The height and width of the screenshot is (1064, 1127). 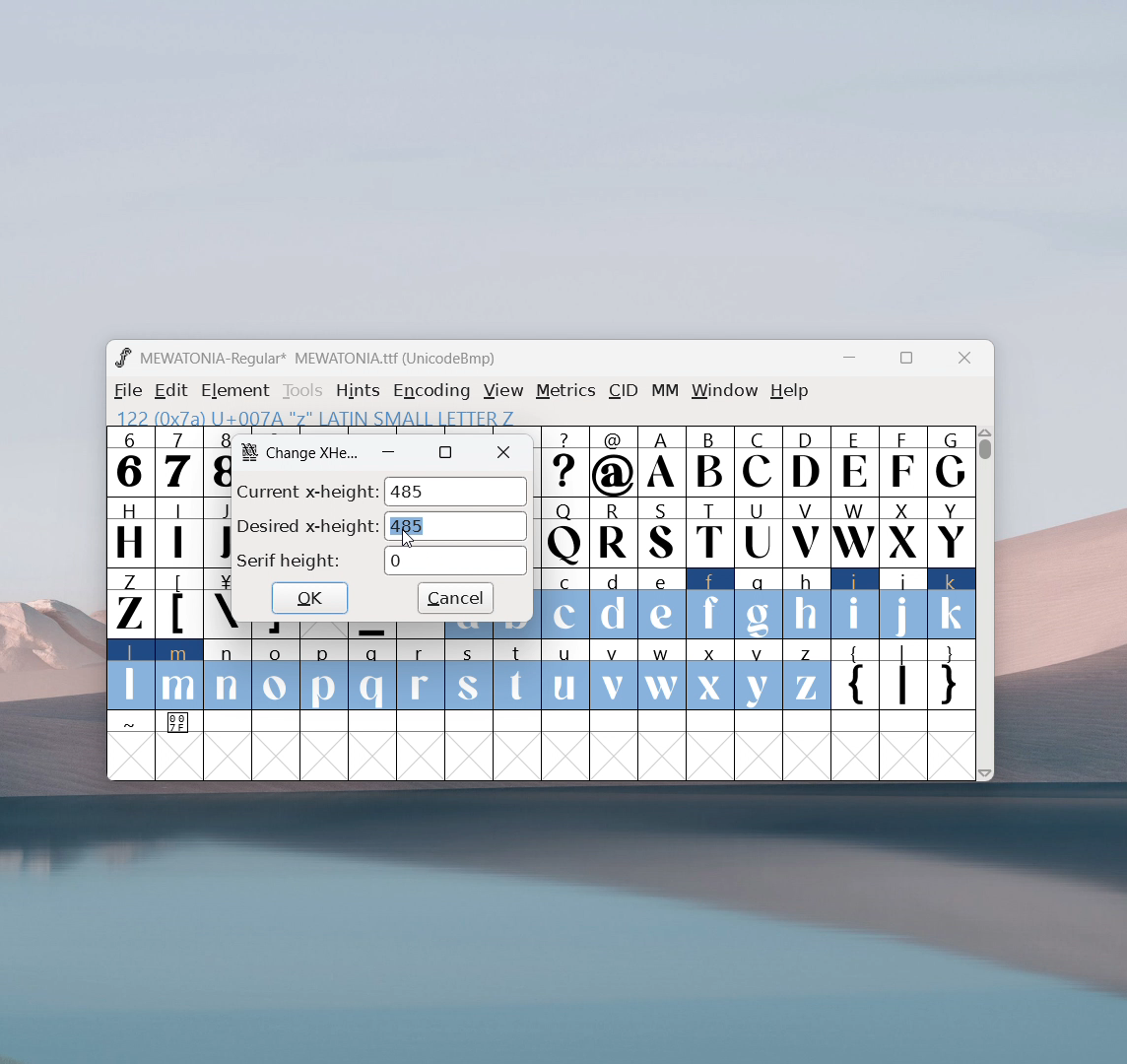 What do you see at coordinates (903, 677) in the screenshot?
I see `|` at bounding box center [903, 677].